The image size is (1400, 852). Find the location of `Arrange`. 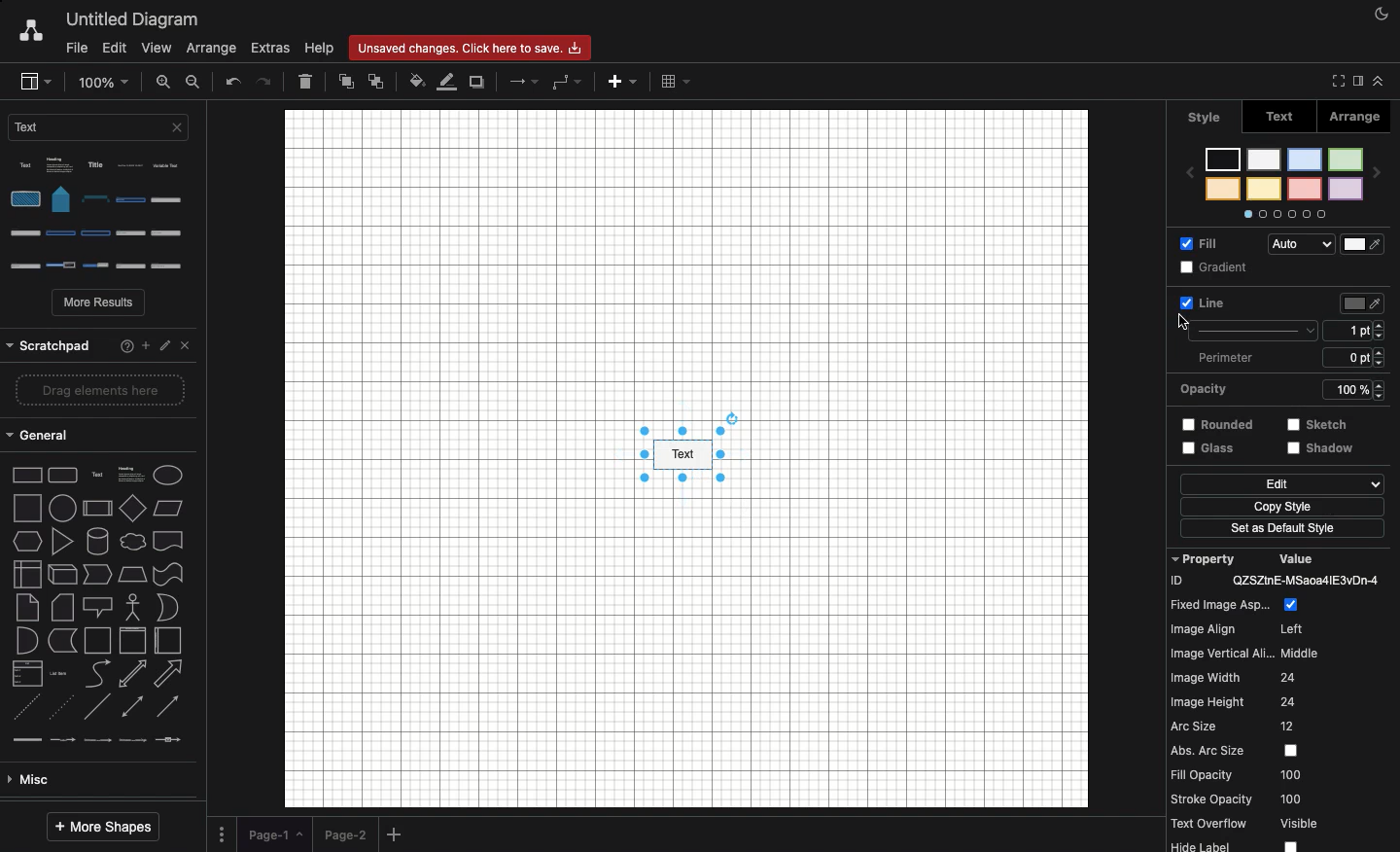

Arrange is located at coordinates (1357, 120).